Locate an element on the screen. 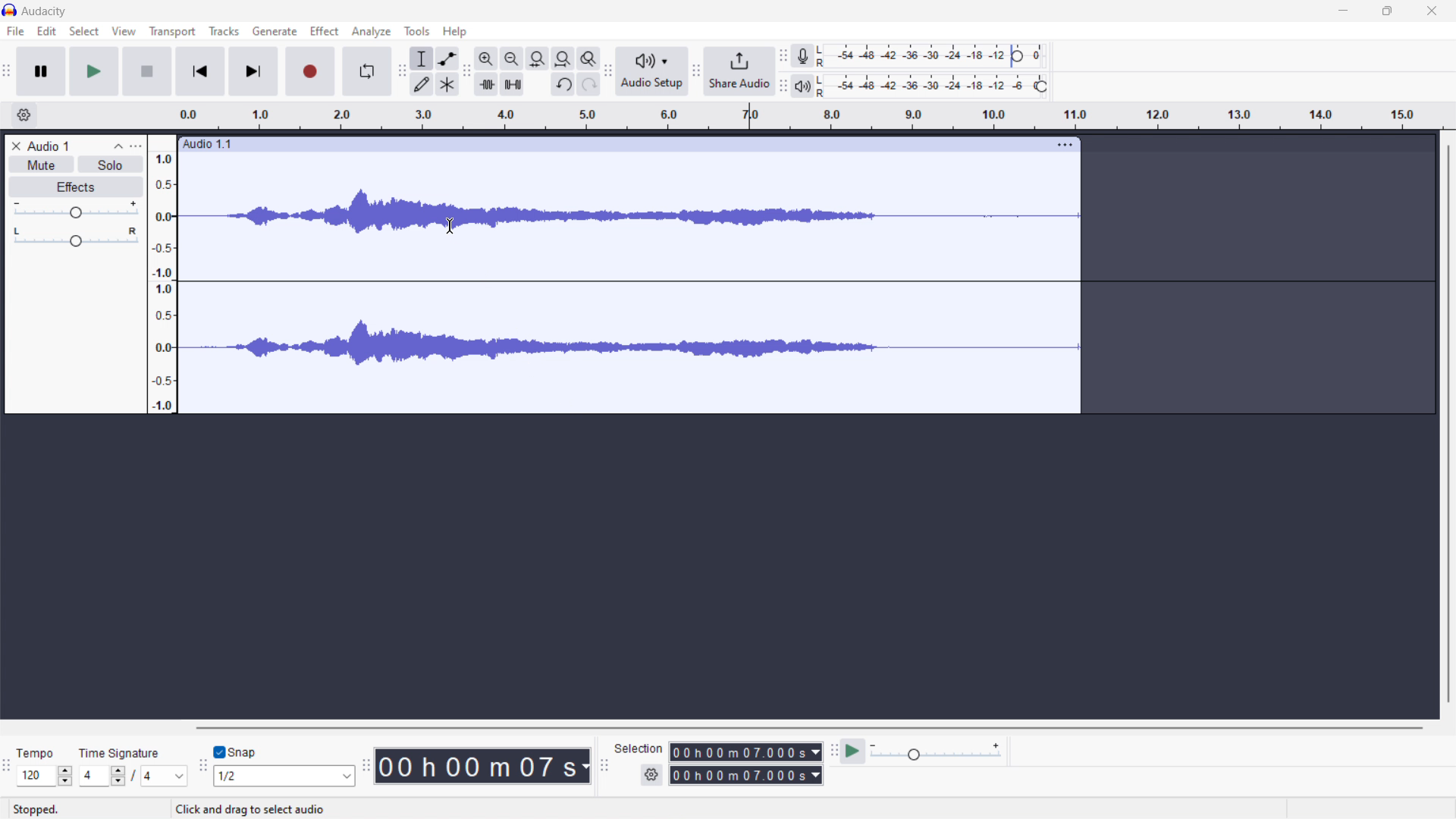  zoom toggle is located at coordinates (589, 58).